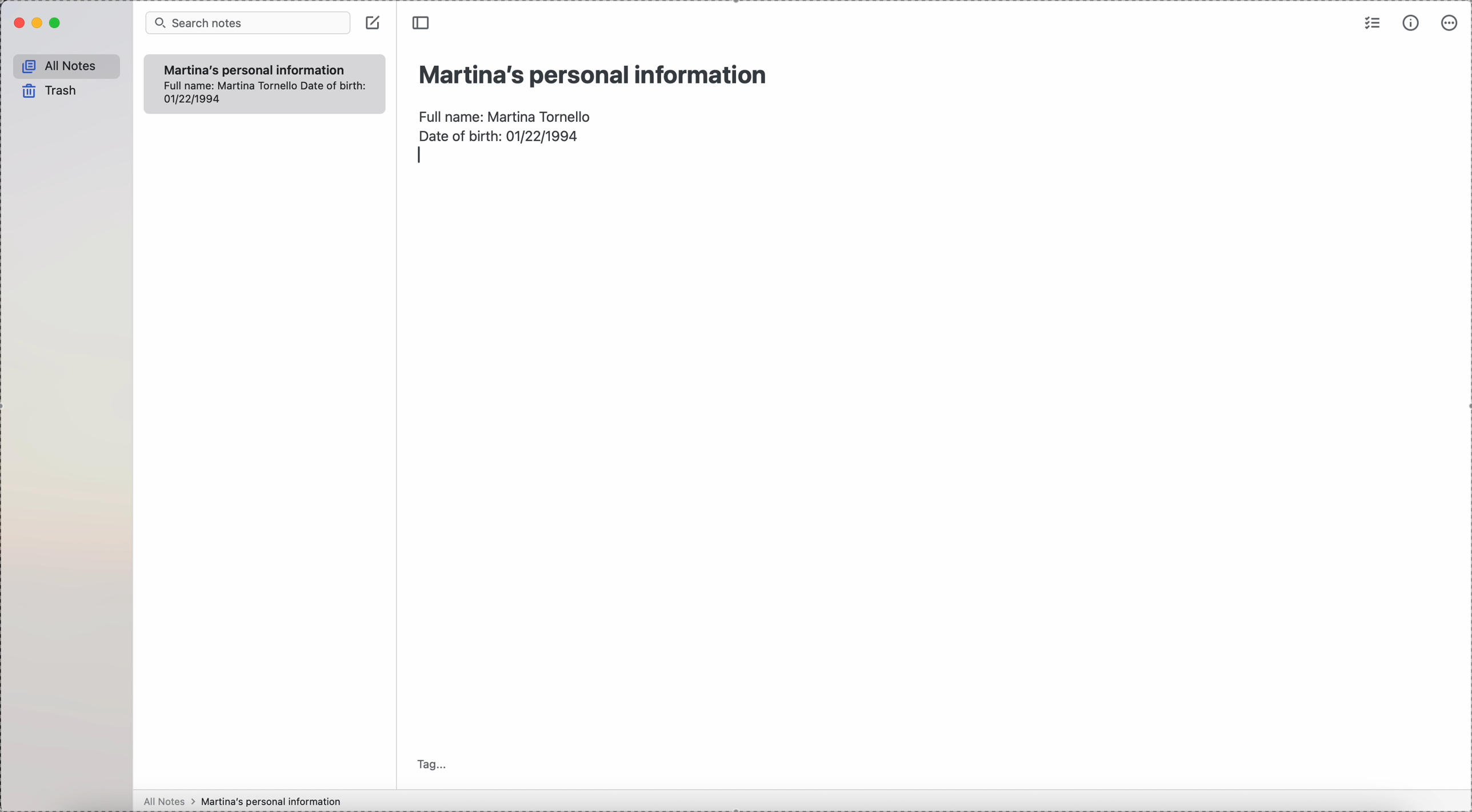  Describe the element at coordinates (1371, 25) in the screenshot. I see `check list` at that location.